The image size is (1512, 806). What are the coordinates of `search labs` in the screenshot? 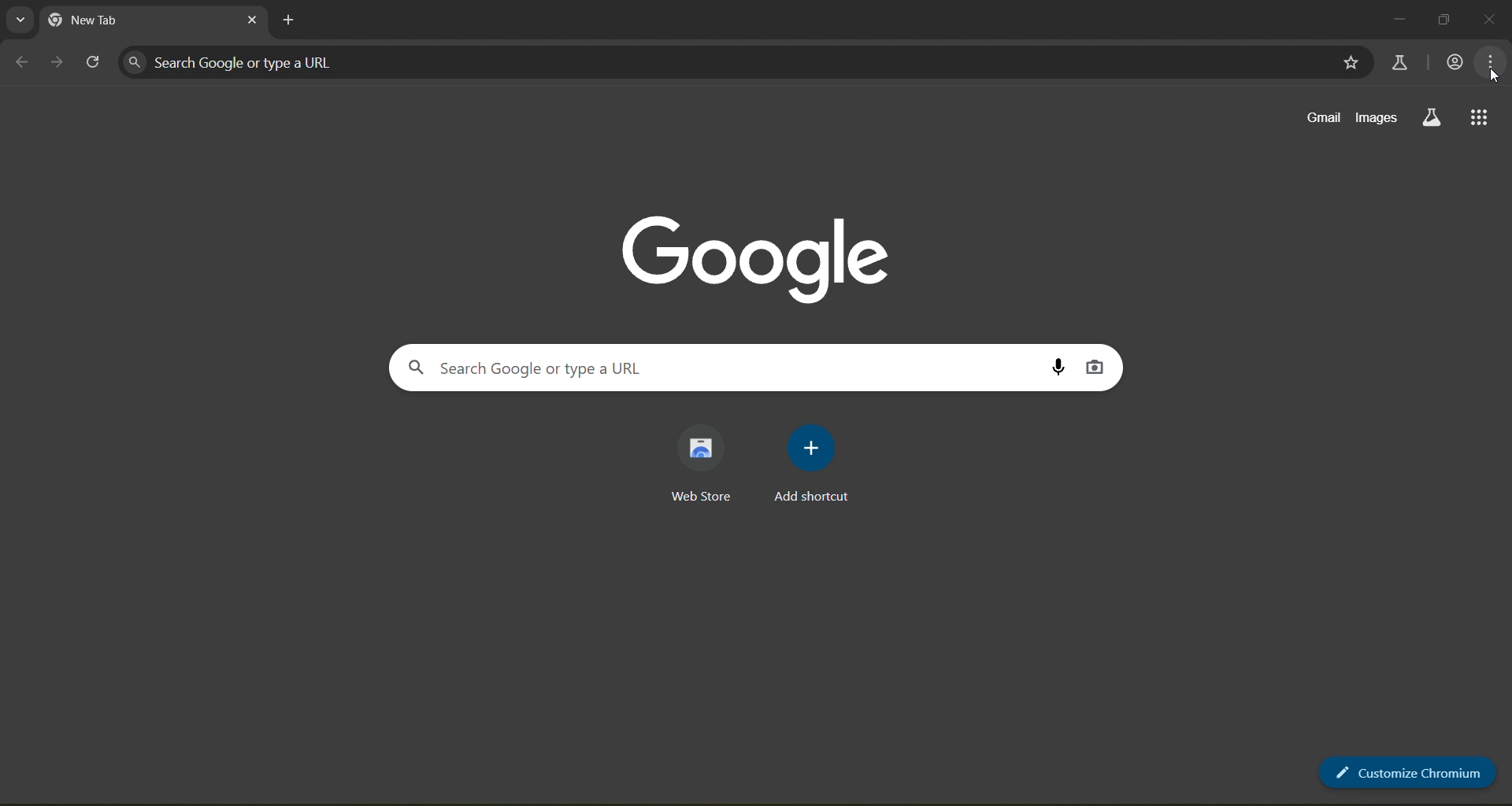 It's located at (1400, 61).